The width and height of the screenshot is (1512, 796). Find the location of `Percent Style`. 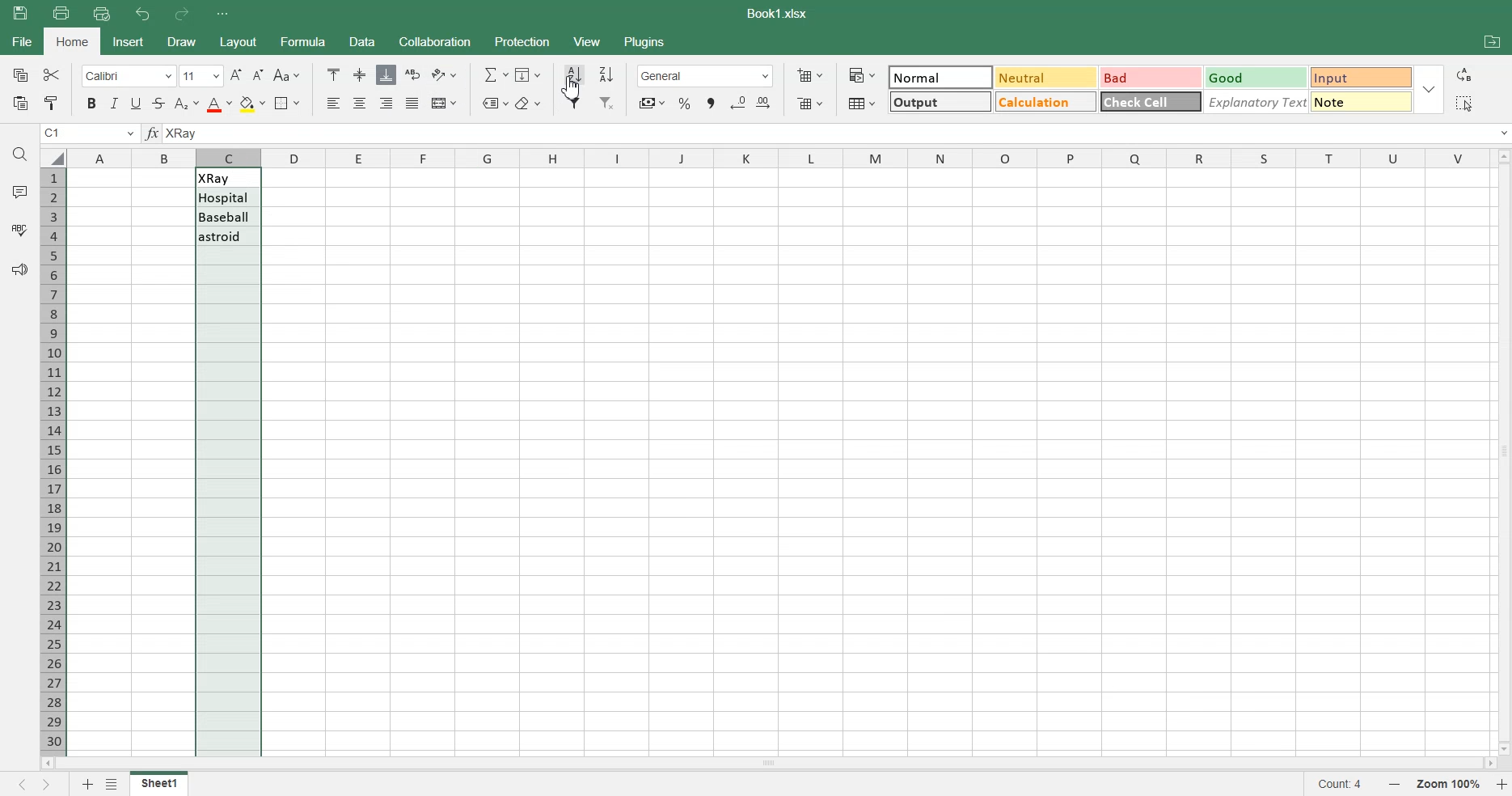

Percent Style is located at coordinates (684, 103).